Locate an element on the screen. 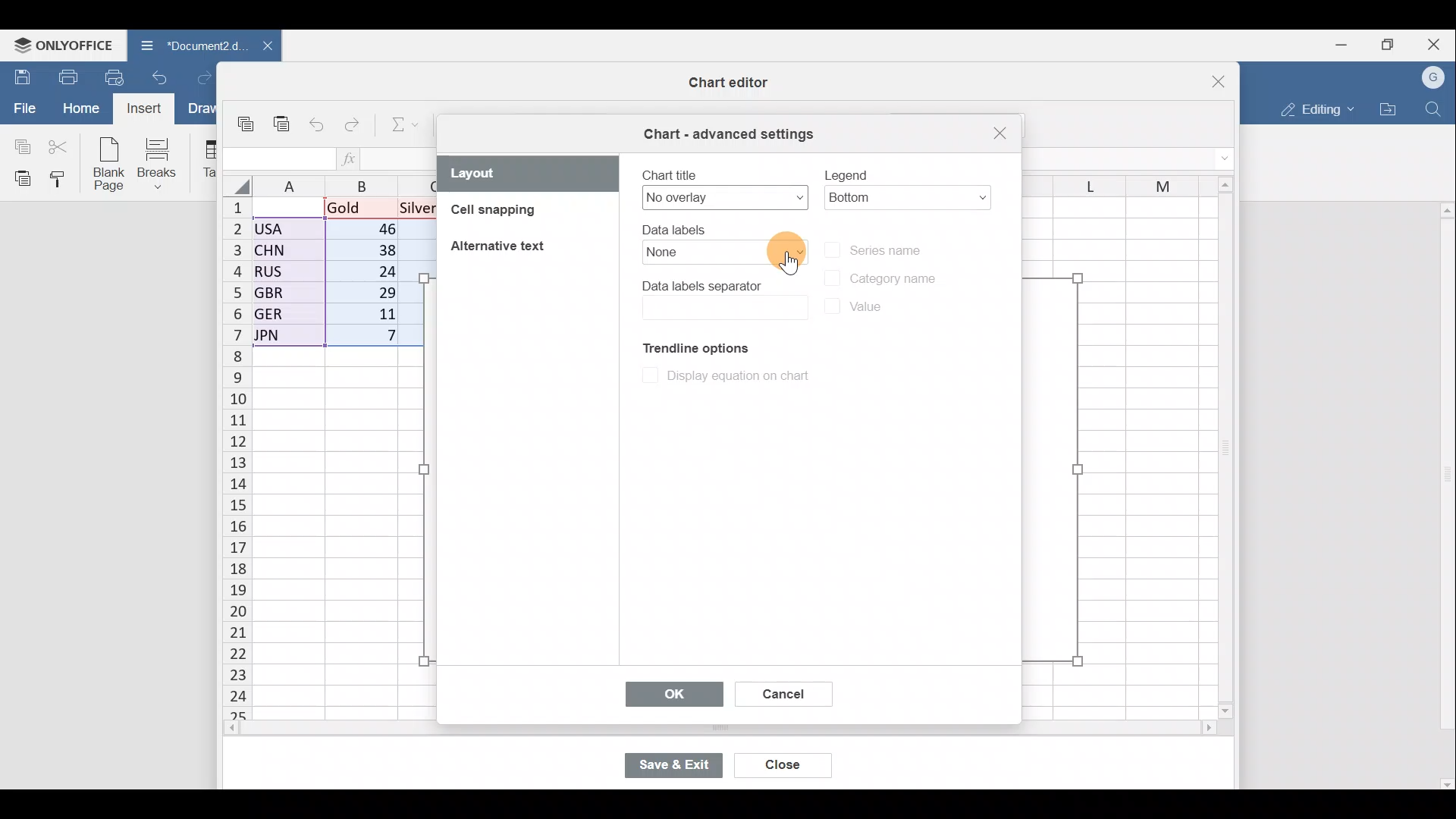 Image resolution: width=1456 pixels, height=819 pixels. Series name is located at coordinates (893, 248).